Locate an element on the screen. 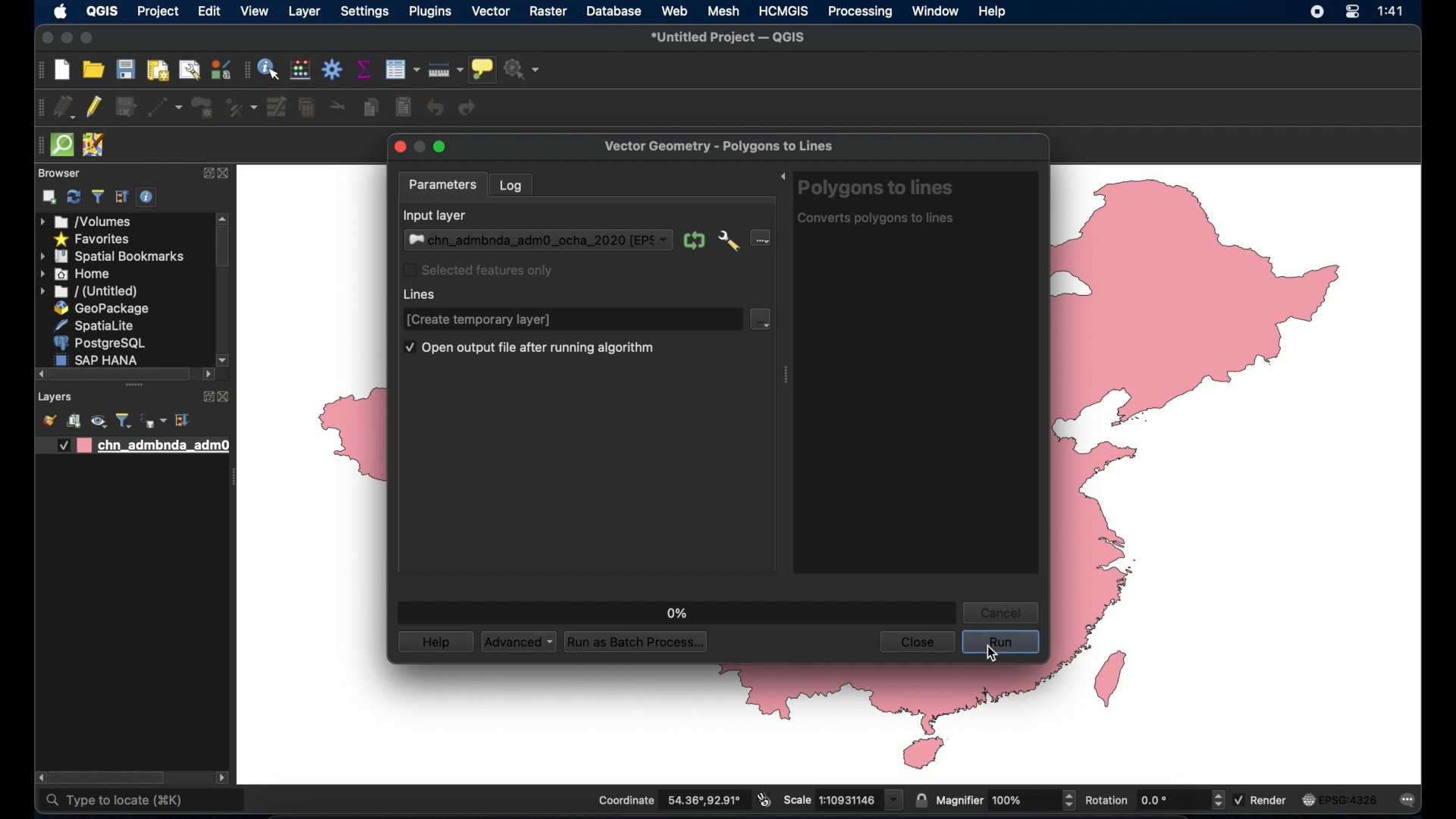 The width and height of the screenshot is (1456, 819). expand is located at coordinates (782, 179).